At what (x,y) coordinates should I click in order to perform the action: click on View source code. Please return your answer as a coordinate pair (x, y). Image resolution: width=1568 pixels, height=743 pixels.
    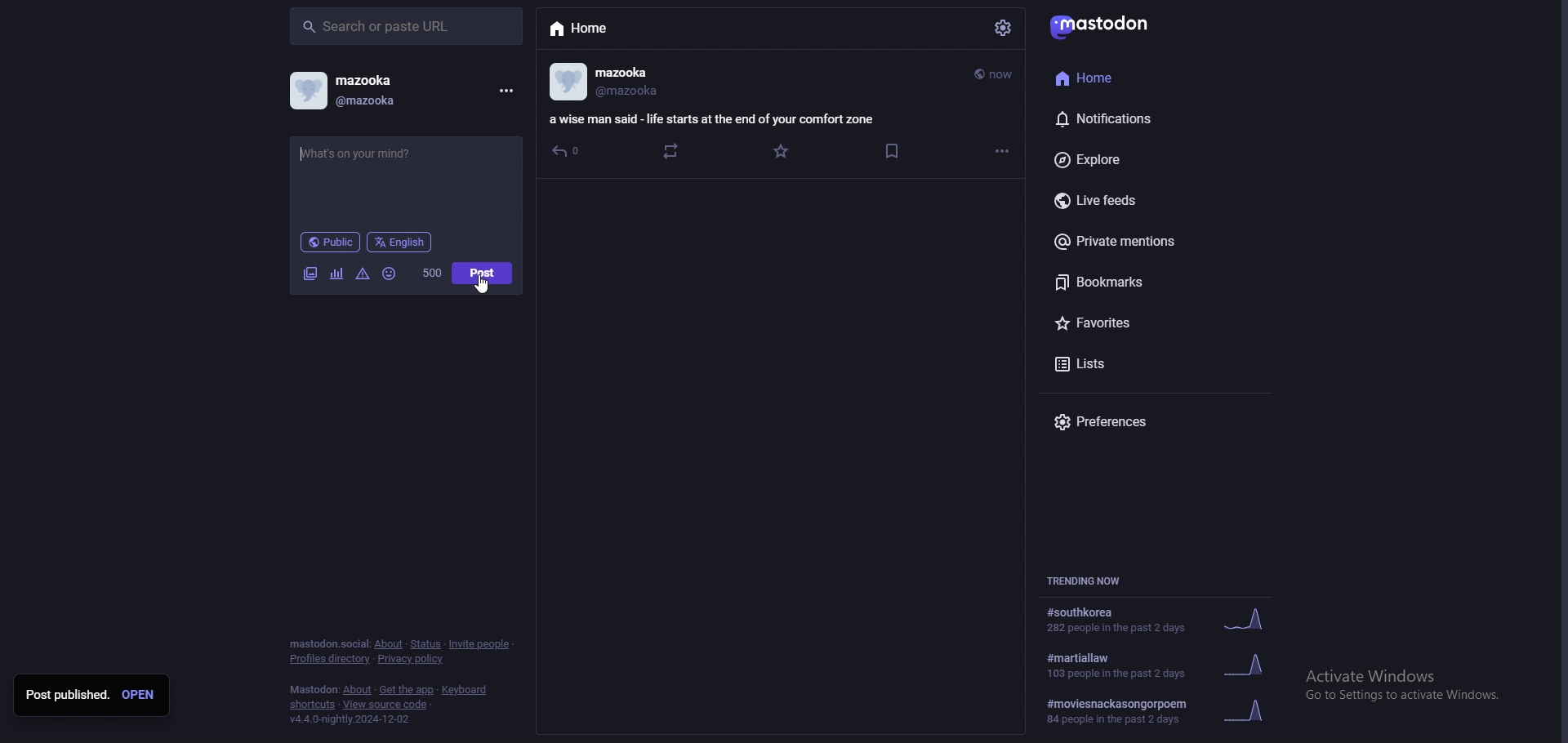
    Looking at the image, I should click on (390, 705).